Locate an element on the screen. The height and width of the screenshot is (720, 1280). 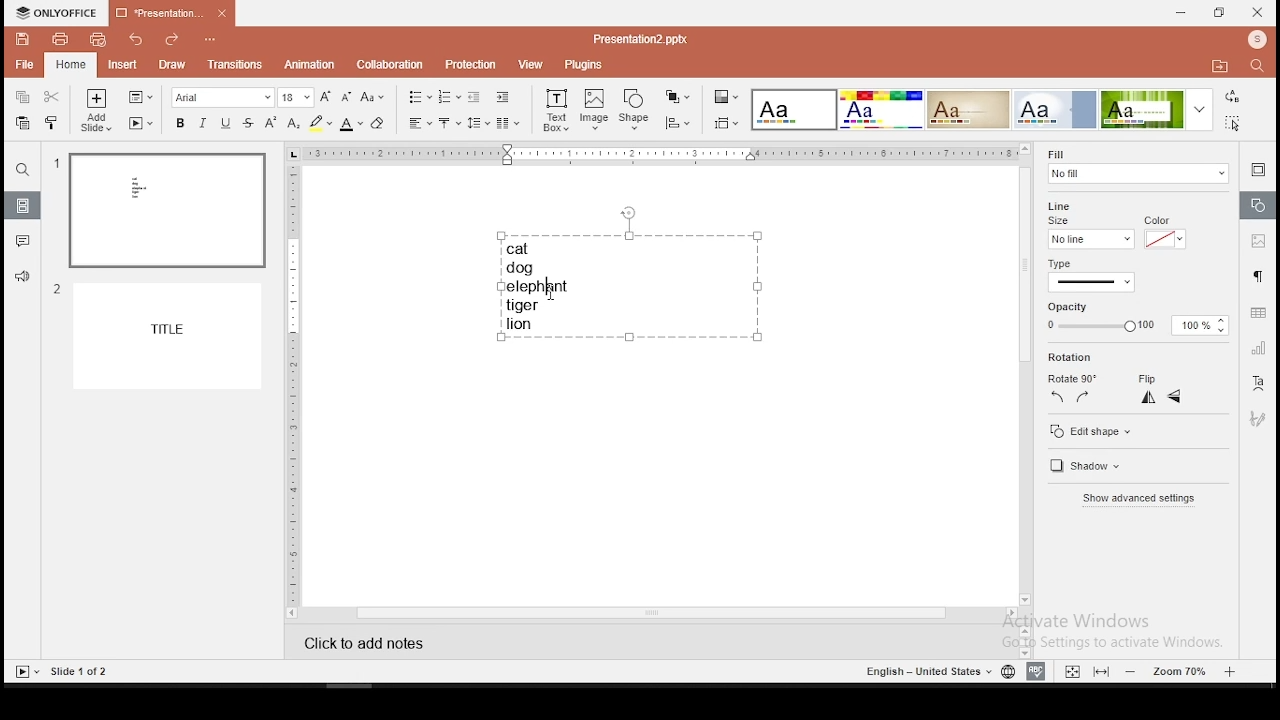
animation is located at coordinates (308, 64).